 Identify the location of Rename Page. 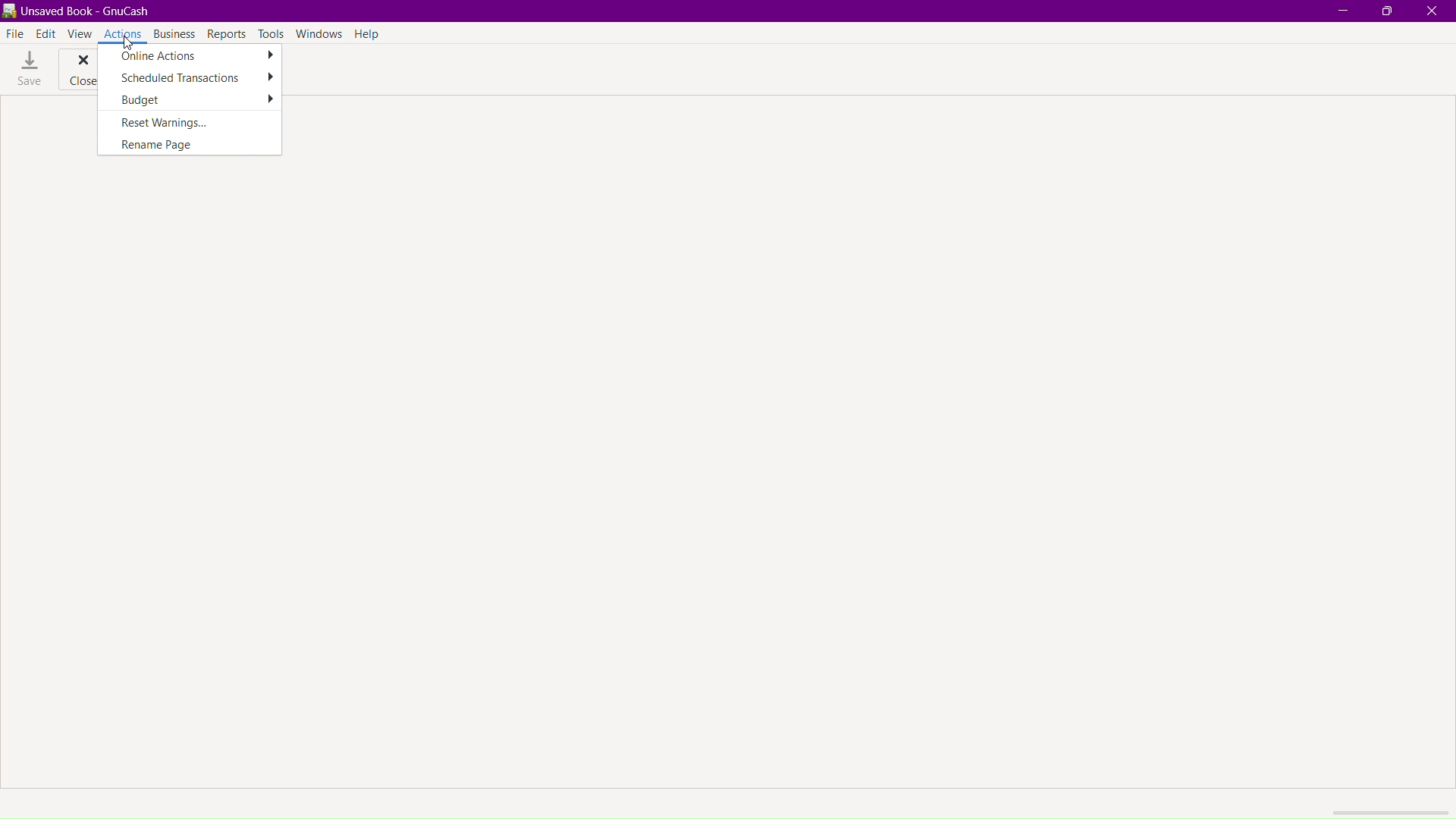
(198, 147).